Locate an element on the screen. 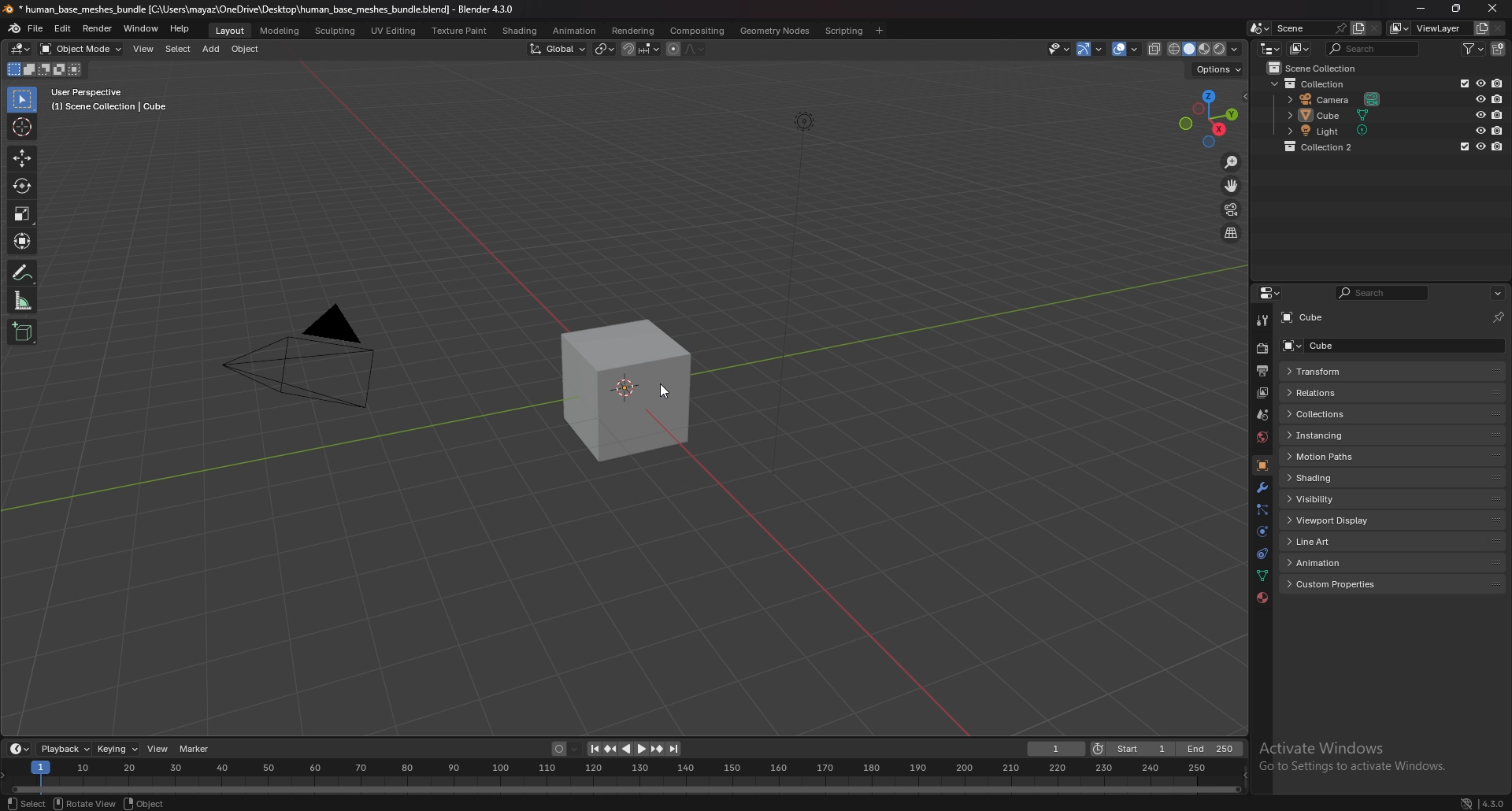 Image resolution: width=1512 pixels, height=811 pixels. sculpting is located at coordinates (337, 30).